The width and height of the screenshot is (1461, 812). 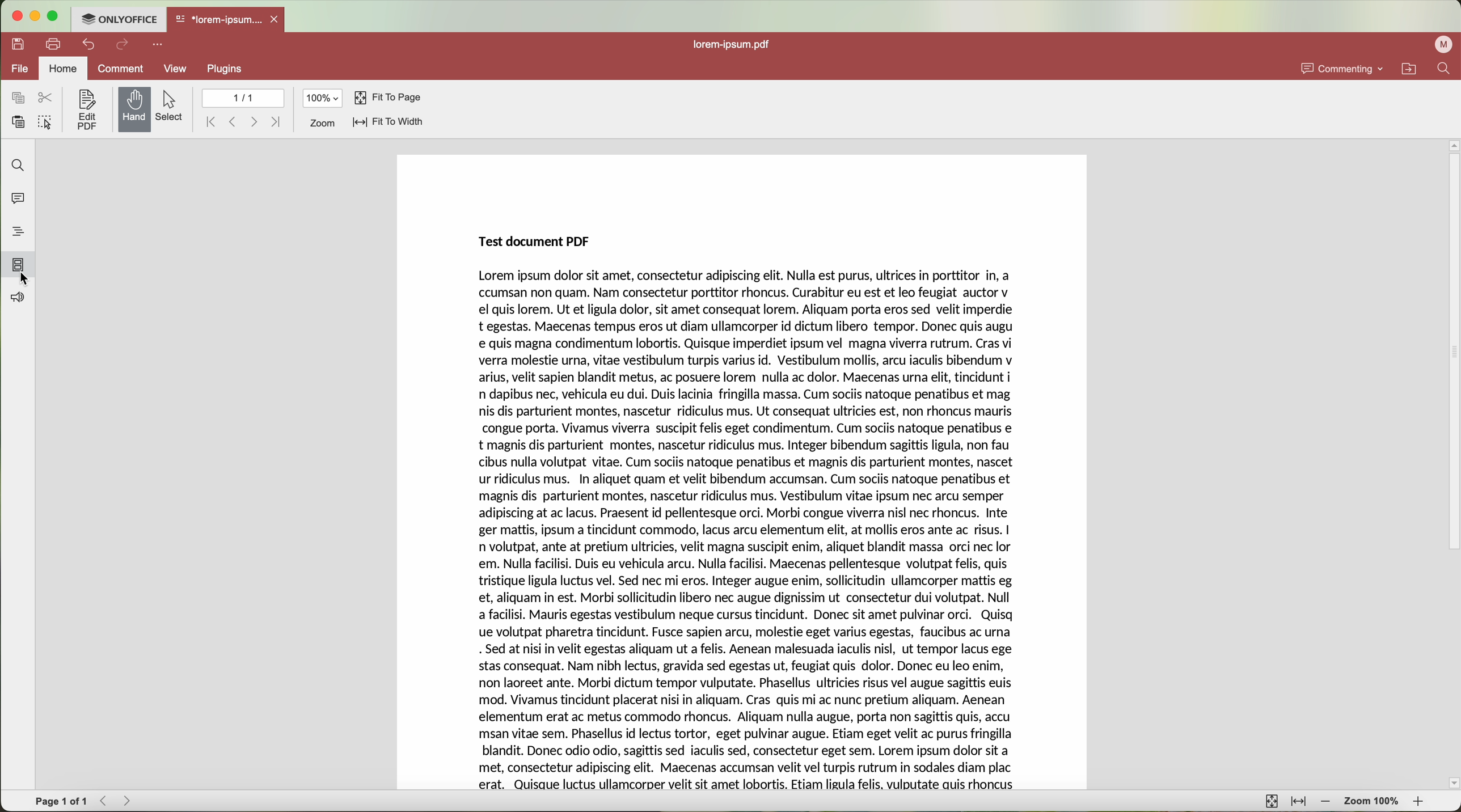 I want to click on paste, so click(x=14, y=122).